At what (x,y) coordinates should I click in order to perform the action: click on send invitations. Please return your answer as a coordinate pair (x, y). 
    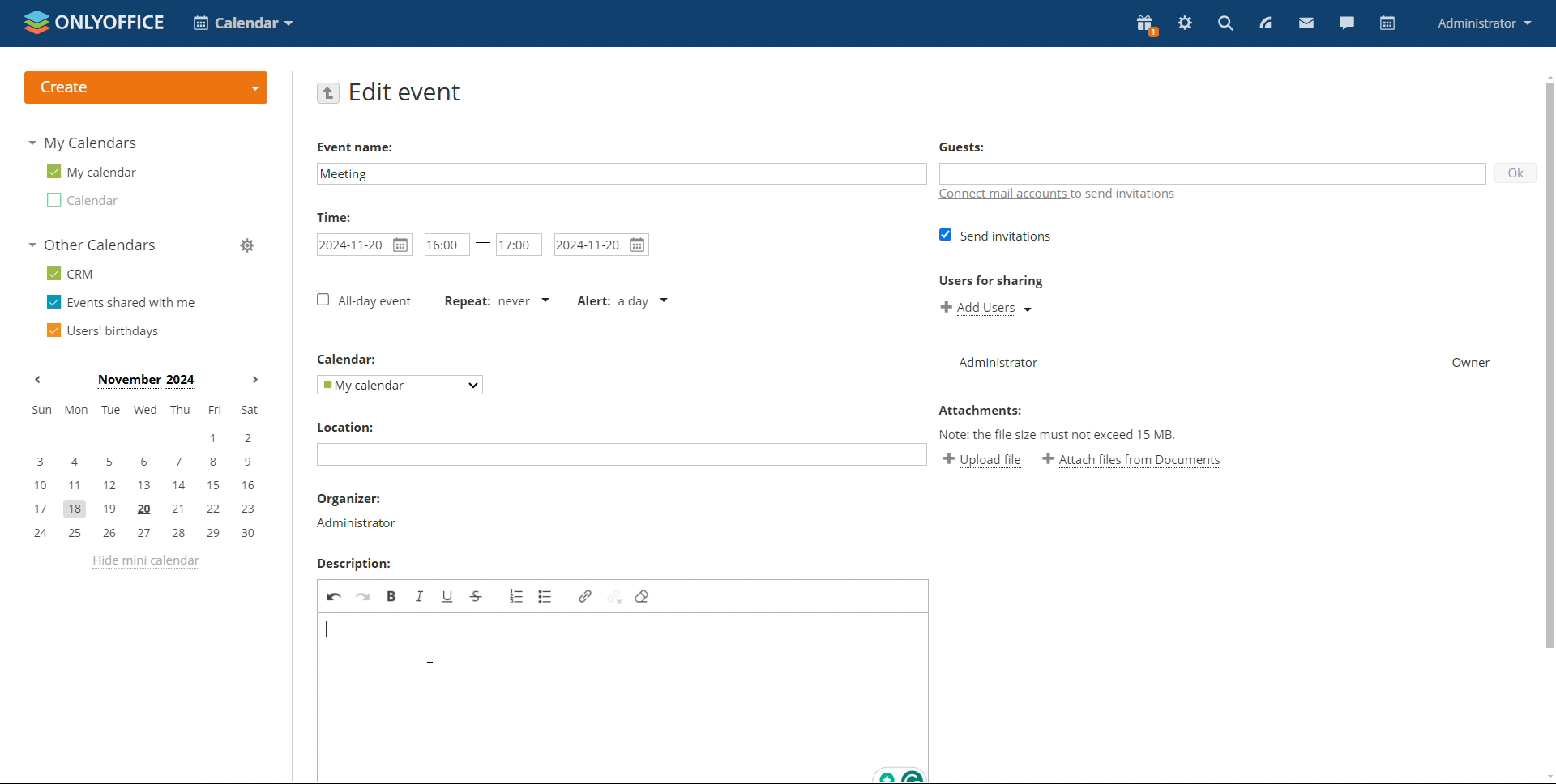
    Looking at the image, I should click on (994, 235).